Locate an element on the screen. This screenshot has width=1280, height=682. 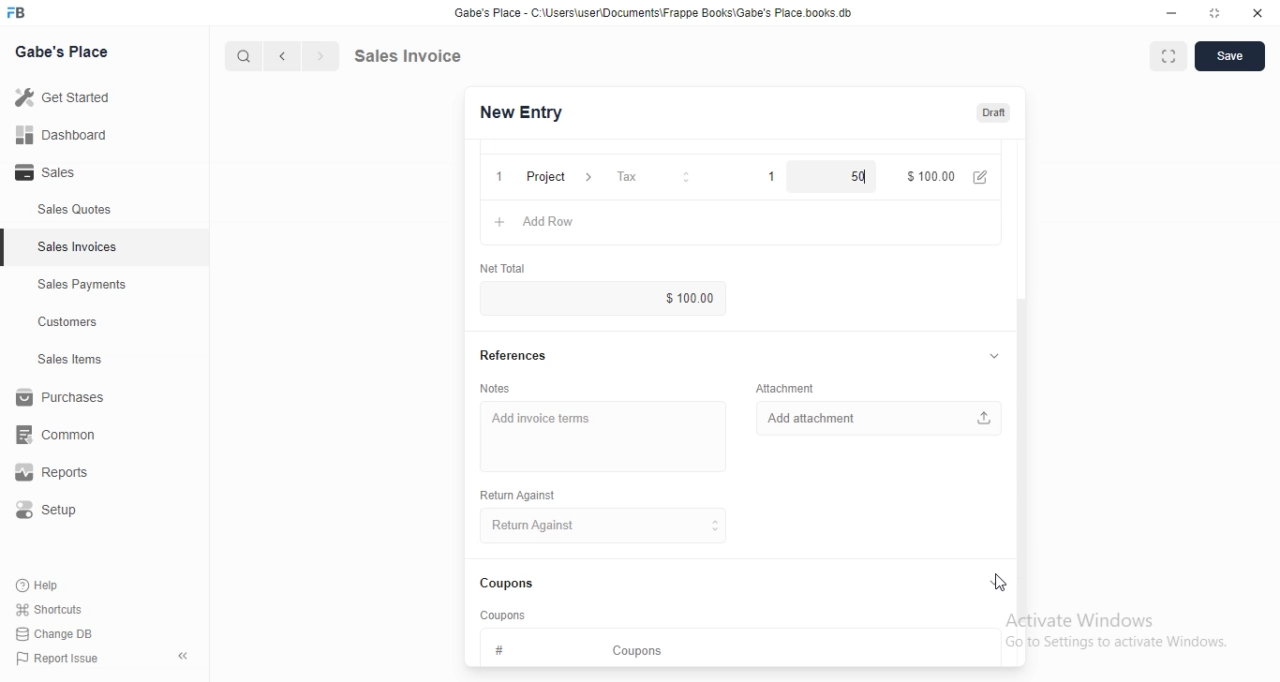
$100.00 is located at coordinates (679, 299).